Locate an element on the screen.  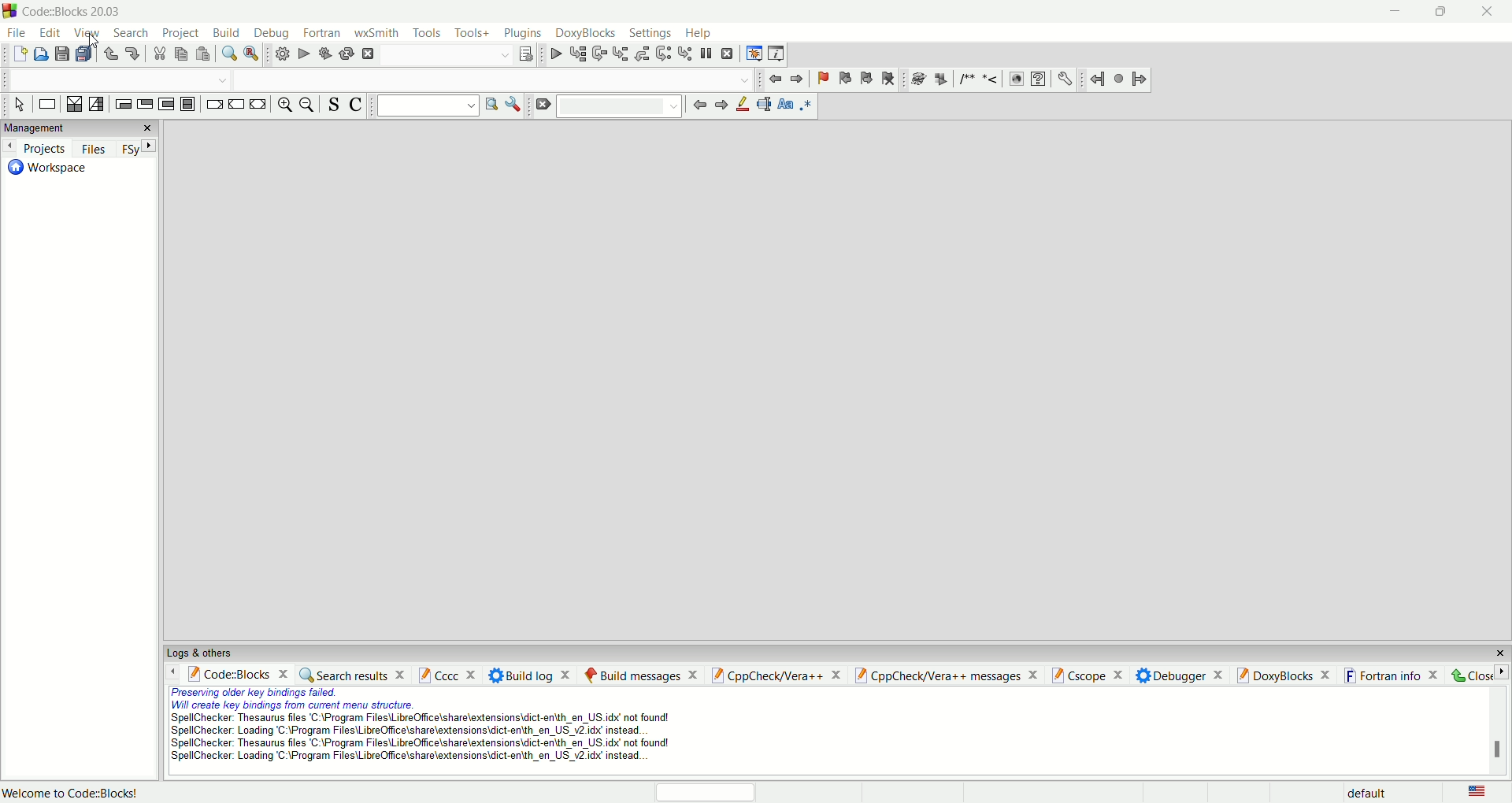
build messages is located at coordinates (640, 674).